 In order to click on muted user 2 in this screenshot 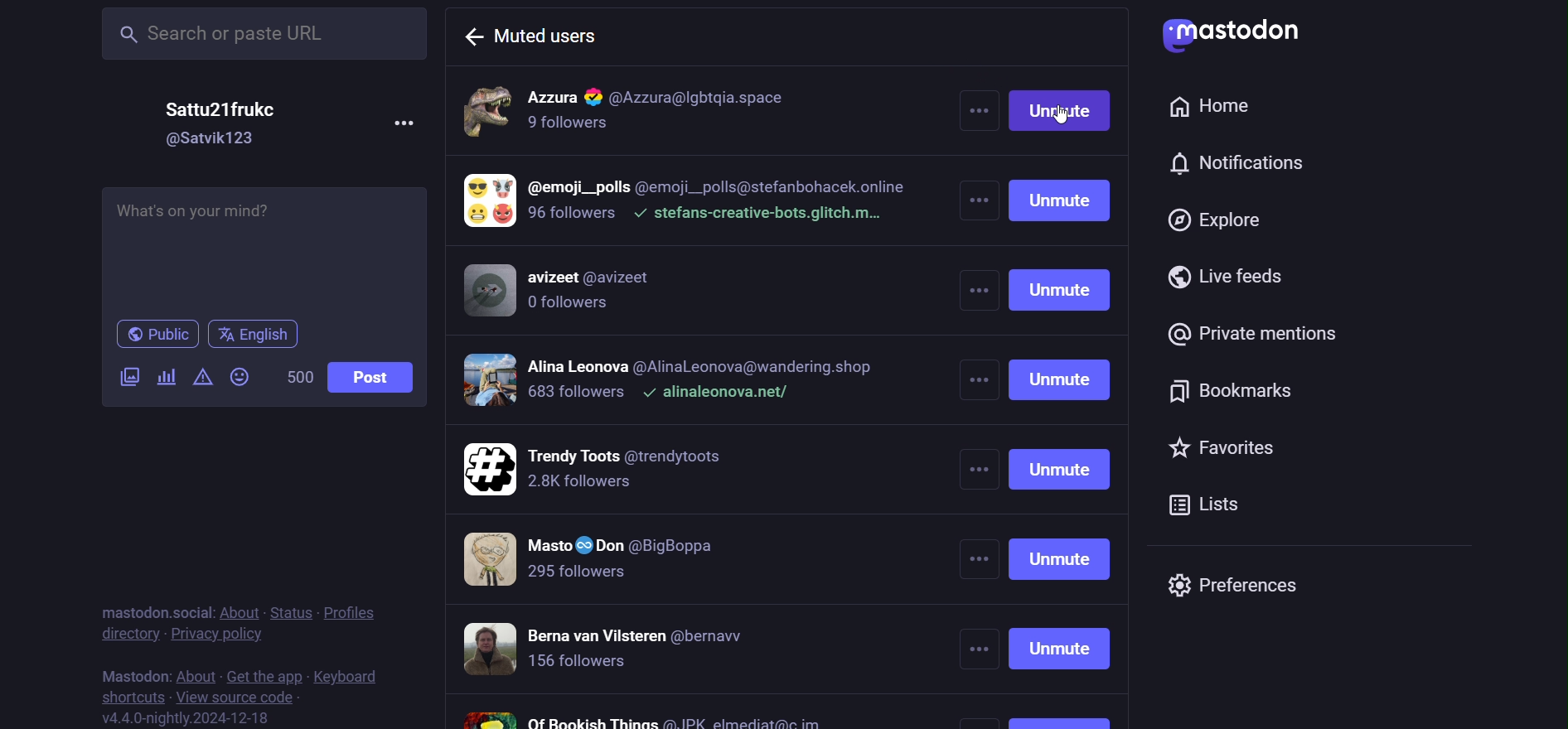, I will do `click(686, 206)`.